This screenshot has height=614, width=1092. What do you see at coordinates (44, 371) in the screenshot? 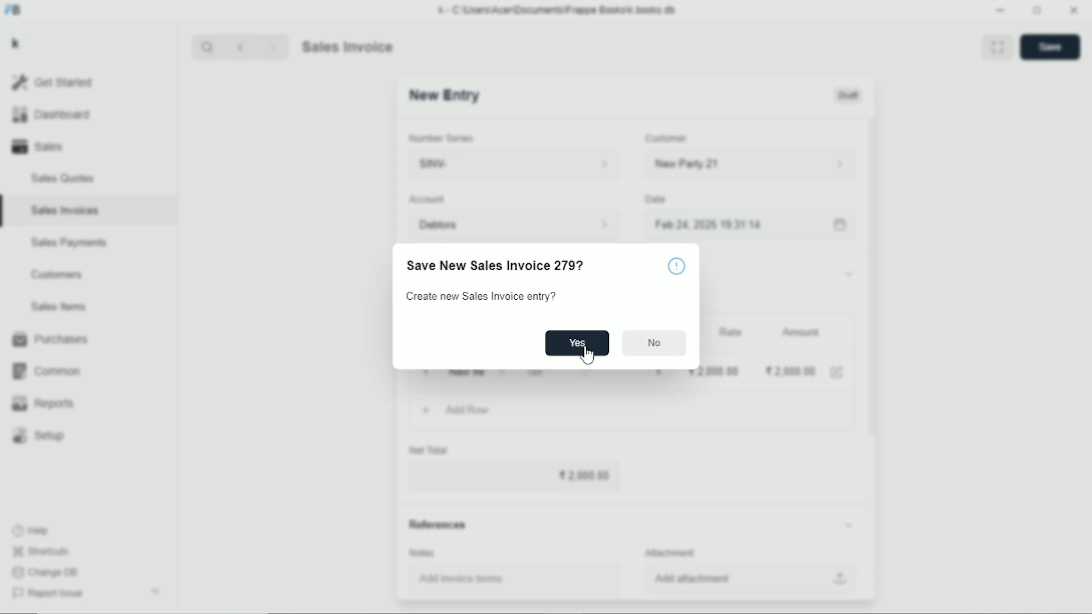
I see `Common` at bounding box center [44, 371].